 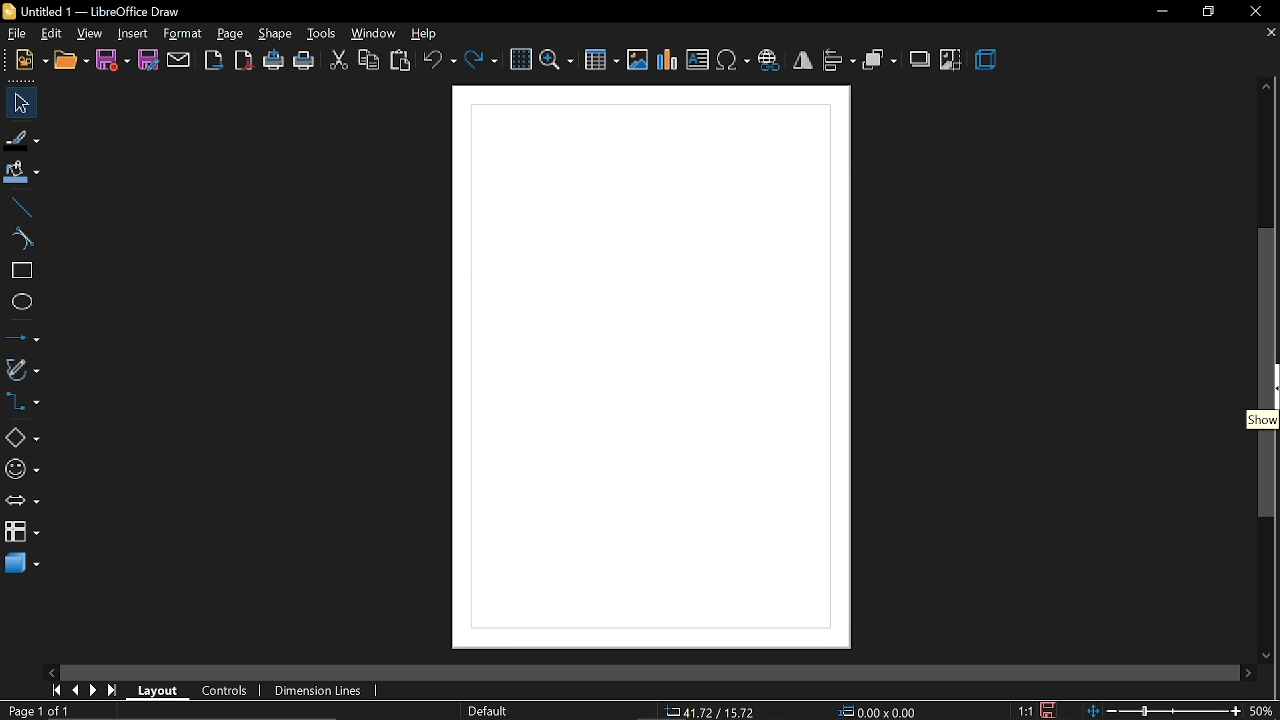 What do you see at coordinates (734, 61) in the screenshot?
I see `insert symbol` at bounding box center [734, 61].